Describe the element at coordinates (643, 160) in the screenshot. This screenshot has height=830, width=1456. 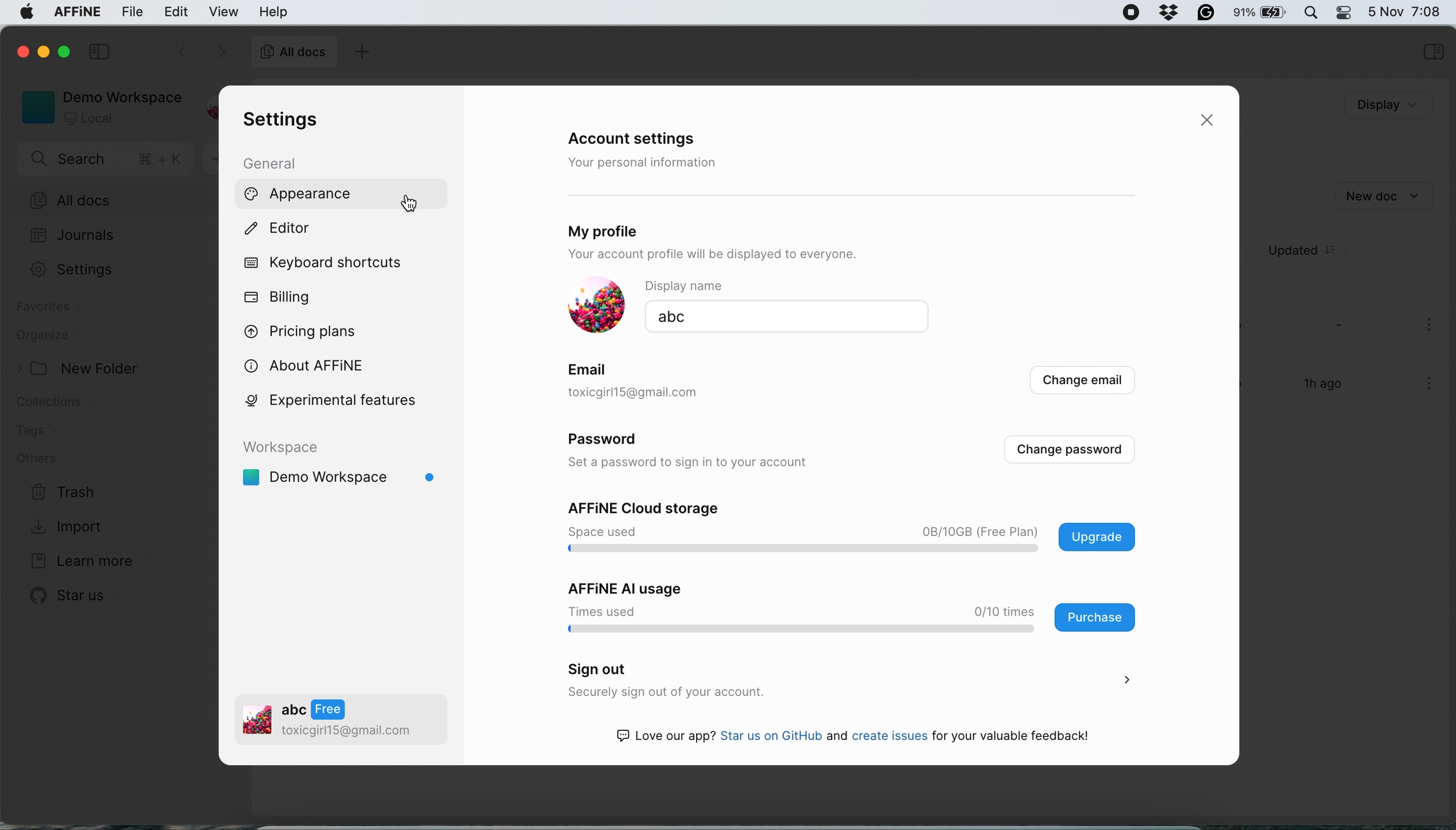
I see `your personal information` at that location.